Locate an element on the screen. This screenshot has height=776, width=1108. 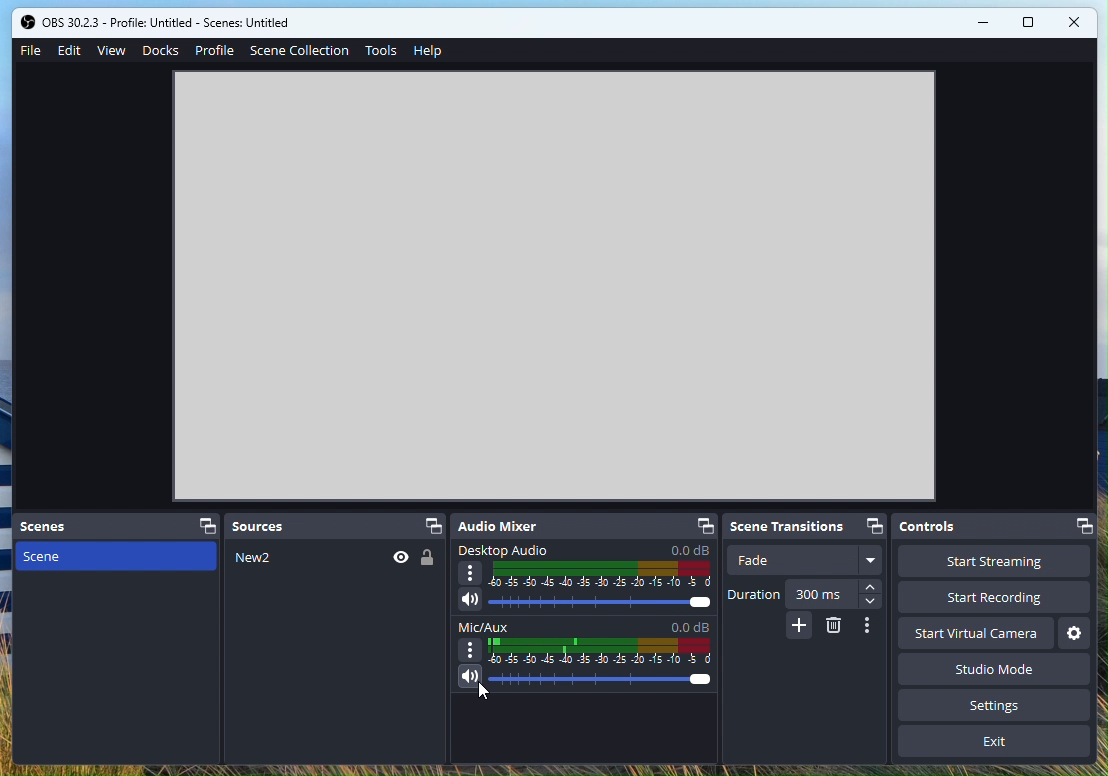
Close is located at coordinates (1075, 24).